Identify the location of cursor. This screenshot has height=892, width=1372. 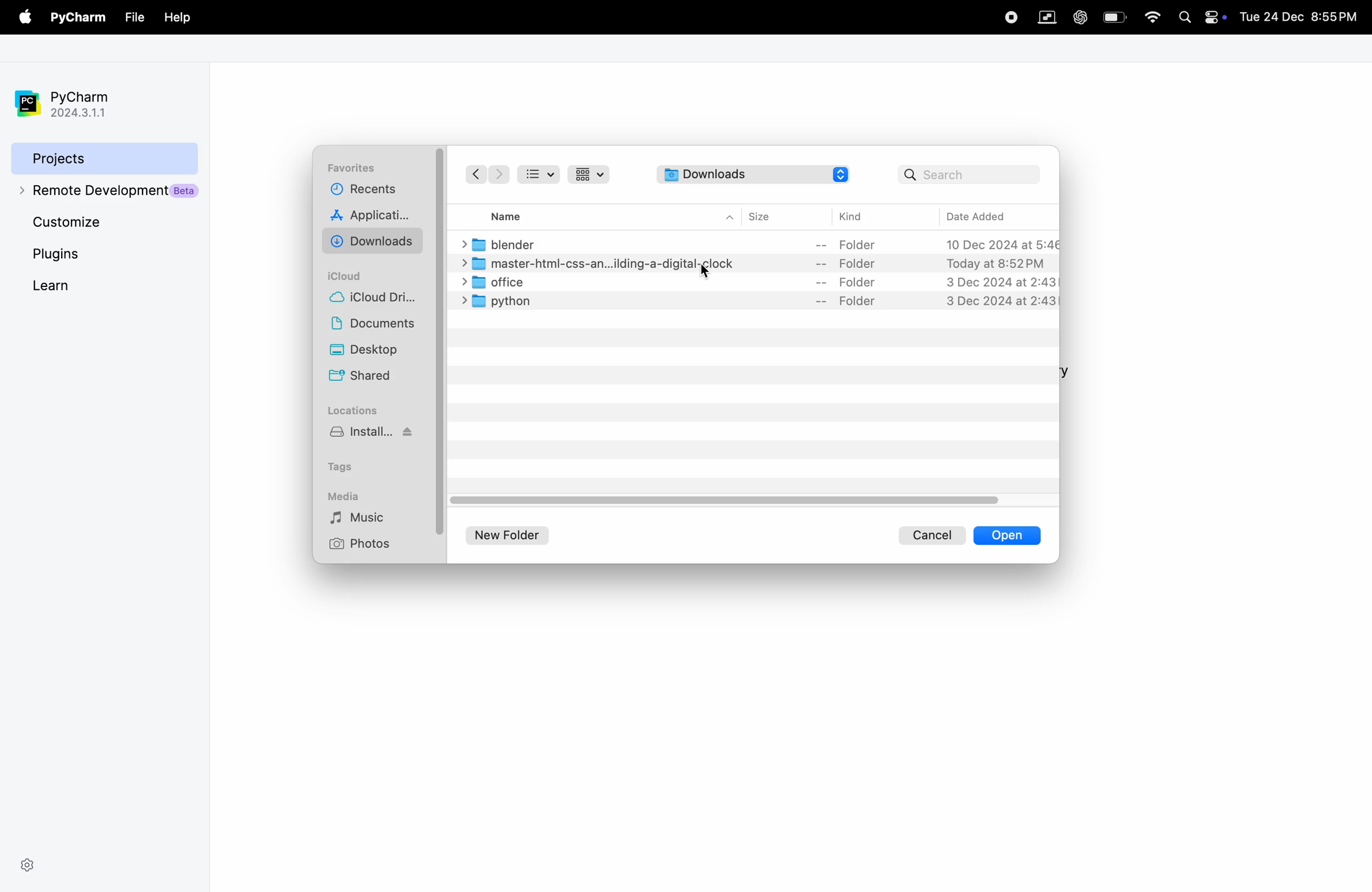
(703, 269).